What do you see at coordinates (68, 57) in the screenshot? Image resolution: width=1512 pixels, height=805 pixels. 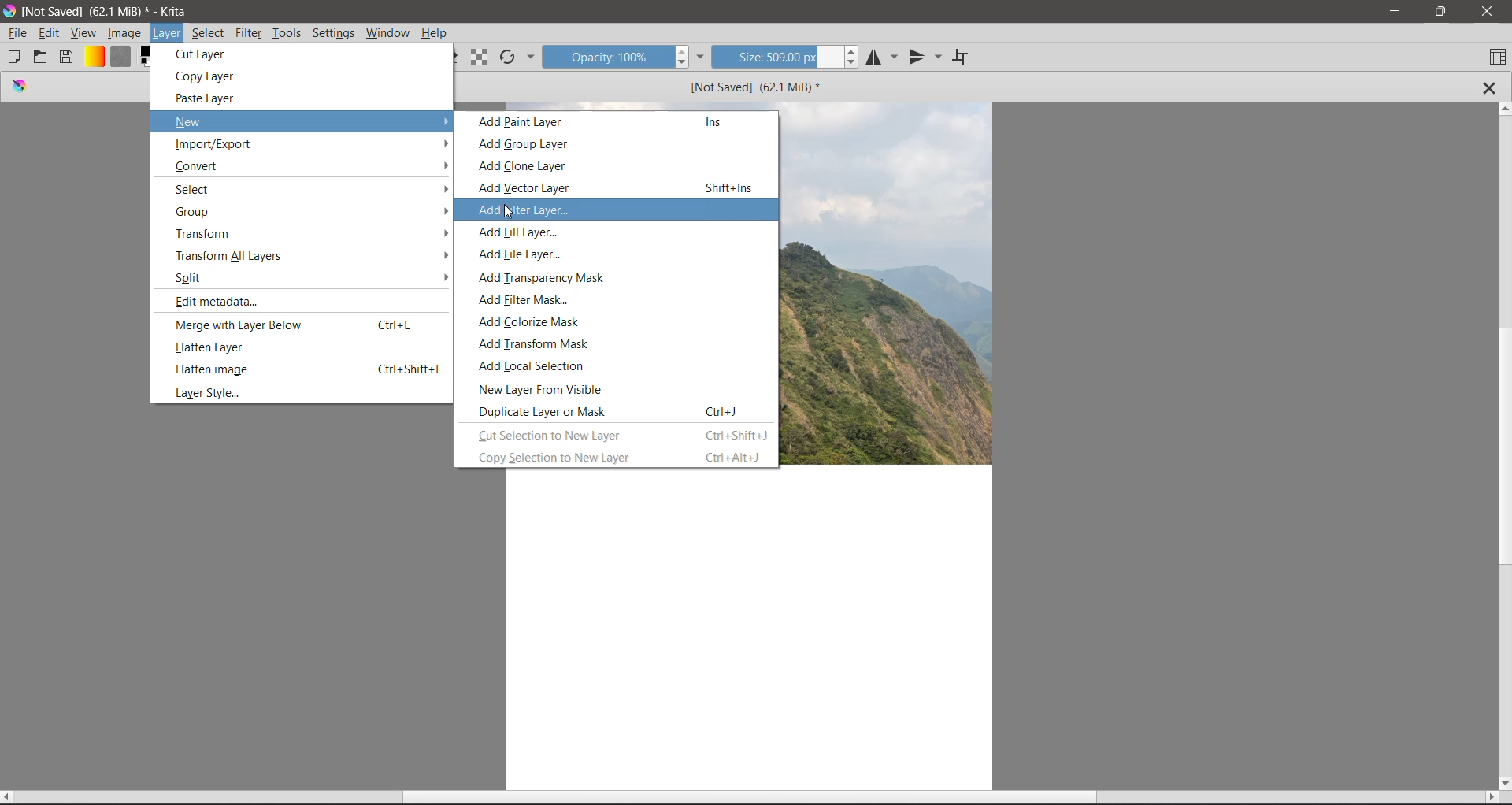 I see `Save` at bounding box center [68, 57].